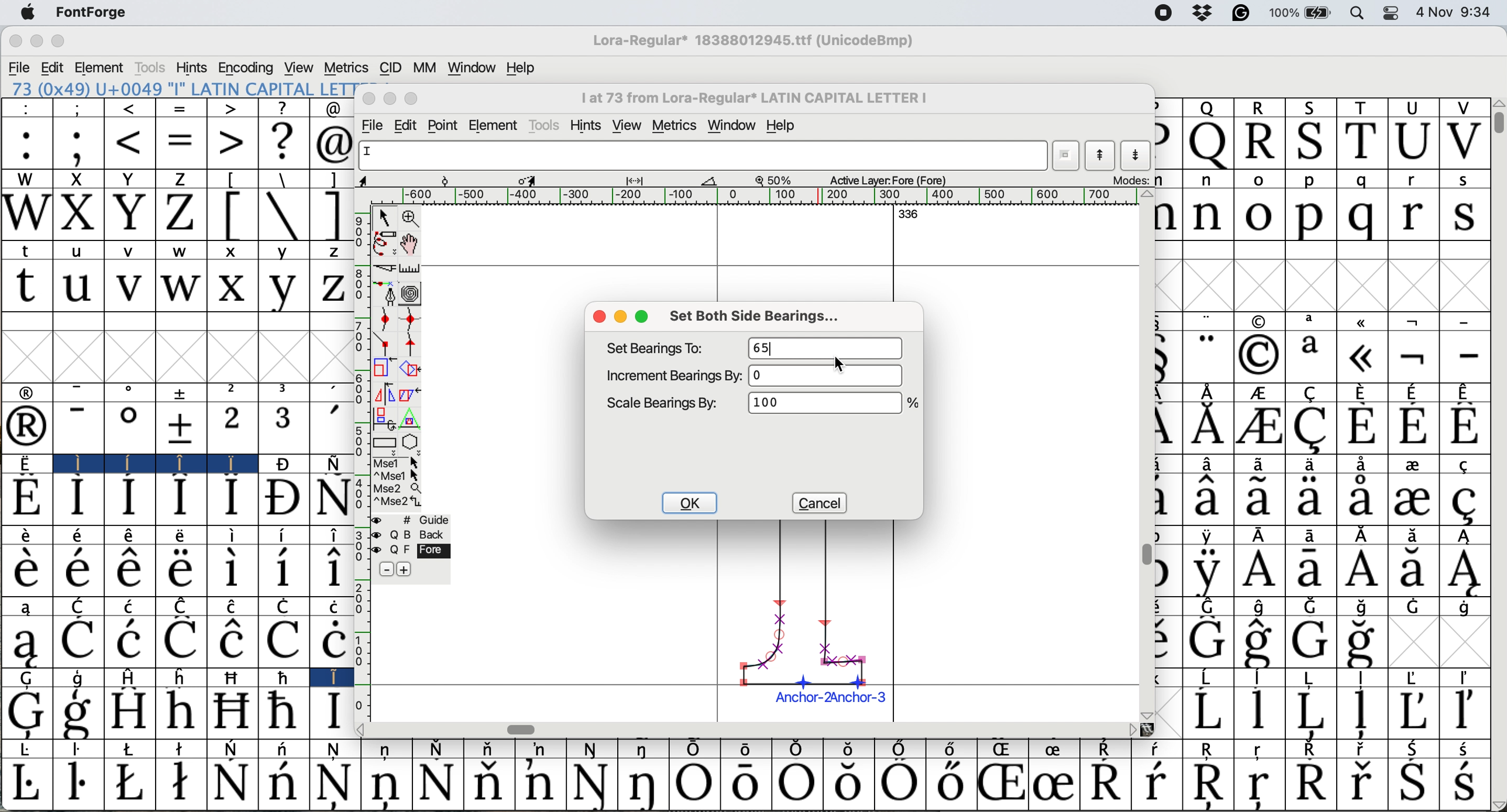 This screenshot has width=1507, height=812. I want to click on U, so click(1411, 144).